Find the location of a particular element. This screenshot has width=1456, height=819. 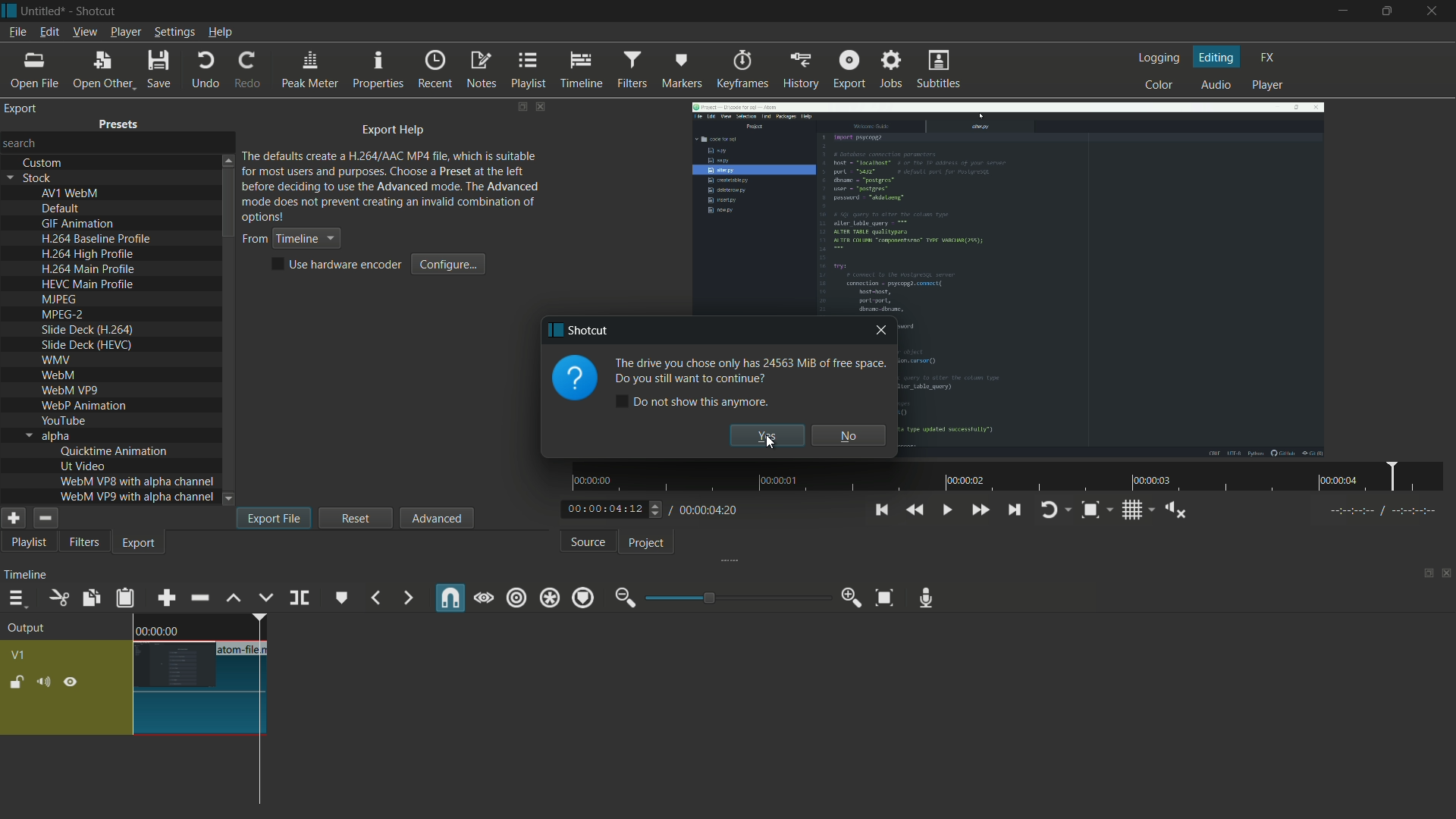

history is located at coordinates (803, 71).